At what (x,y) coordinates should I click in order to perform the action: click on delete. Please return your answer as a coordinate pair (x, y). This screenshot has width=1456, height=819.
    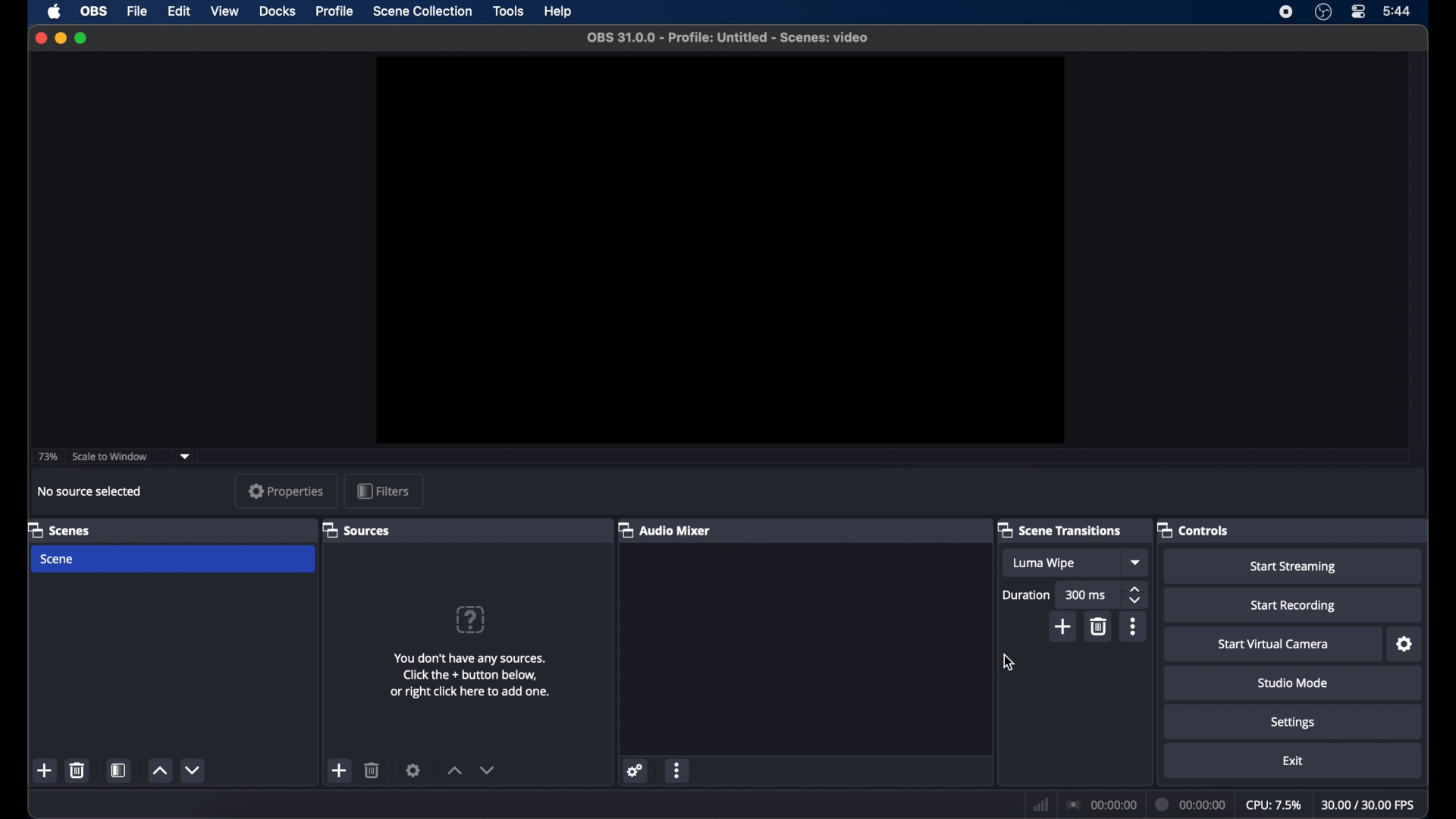
    Looking at the image, I should click on (372, 770).